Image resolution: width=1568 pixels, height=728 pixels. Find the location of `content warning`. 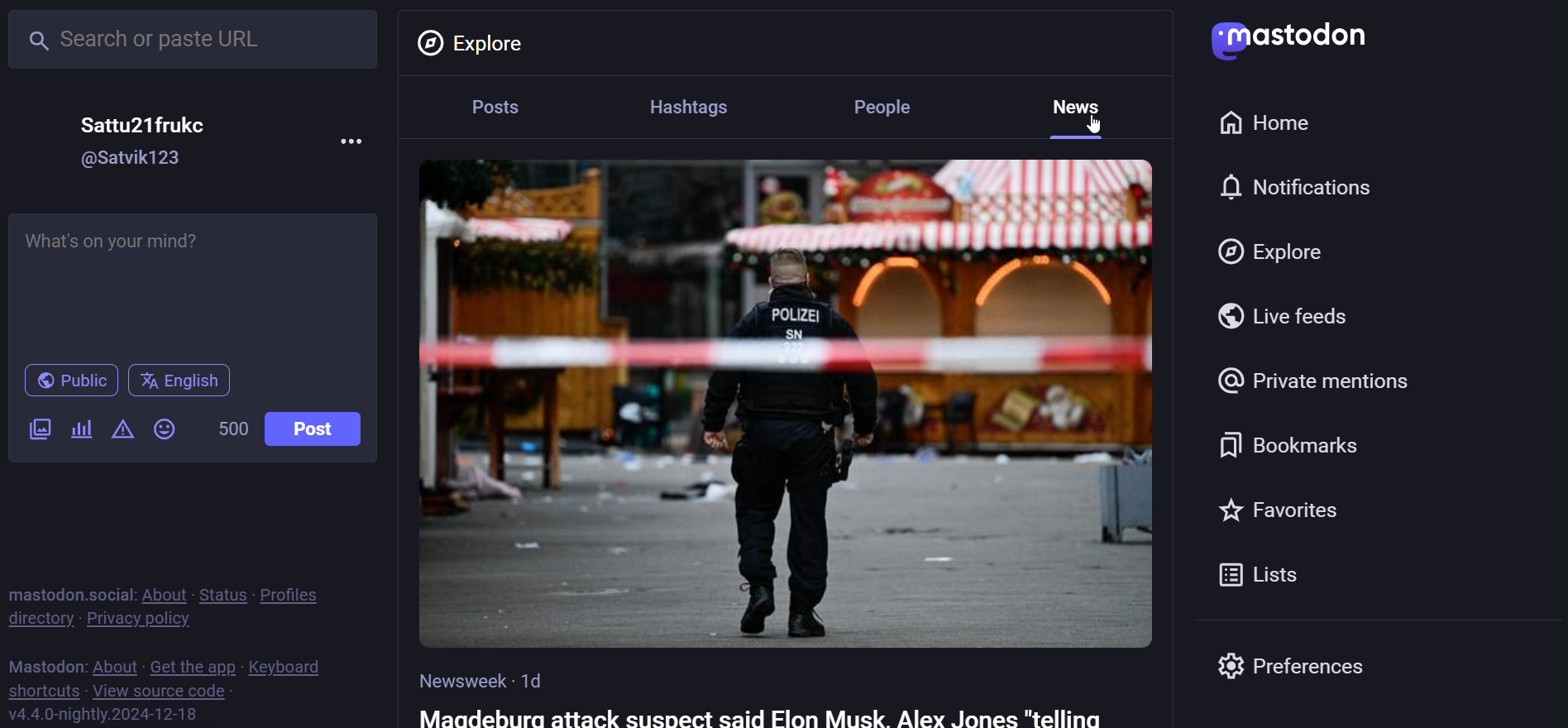

content warning is located at coordinates (122, 429).